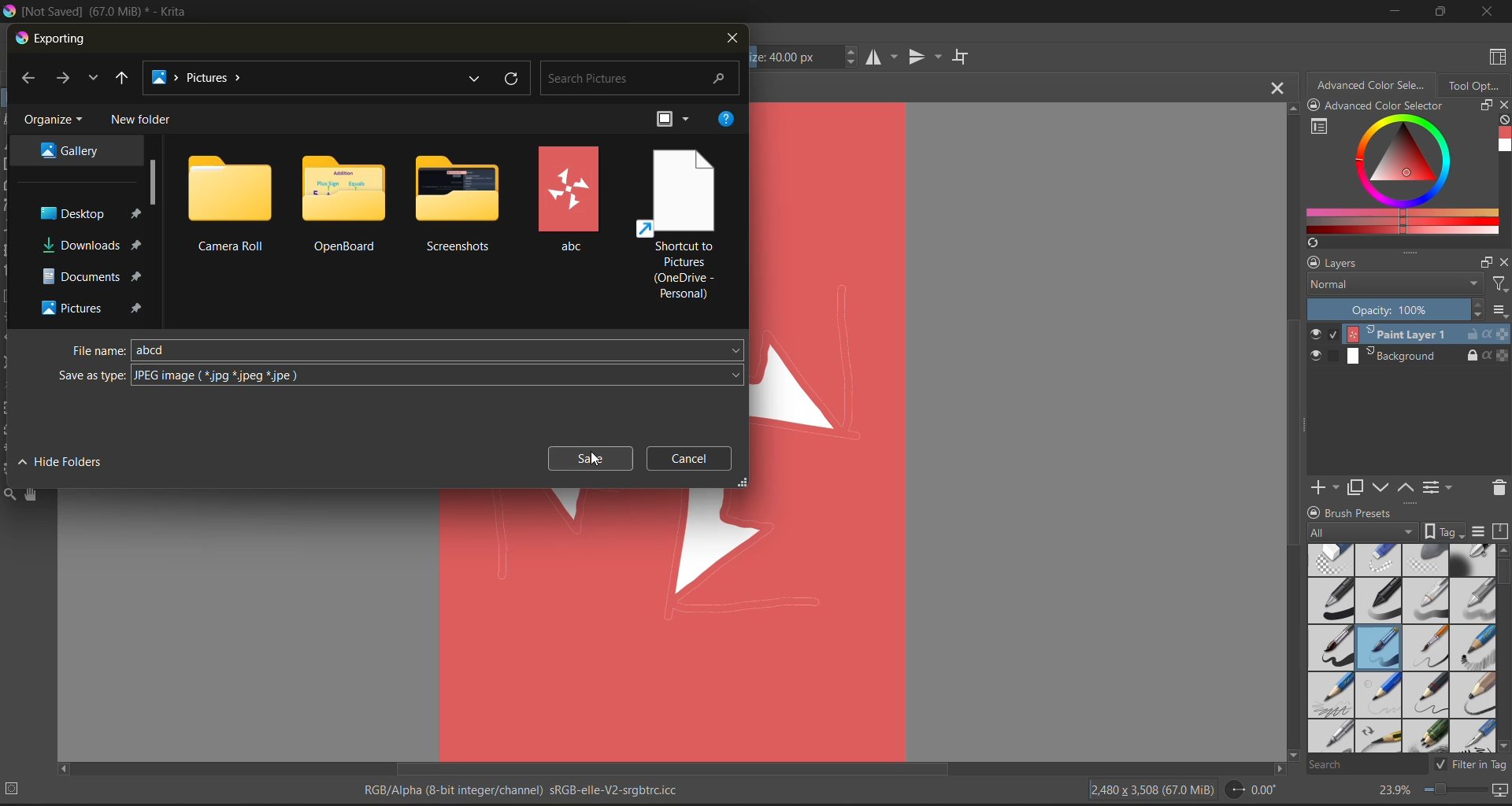 The image size is (1512, 806). I want to click on tools, so click(31, 494).